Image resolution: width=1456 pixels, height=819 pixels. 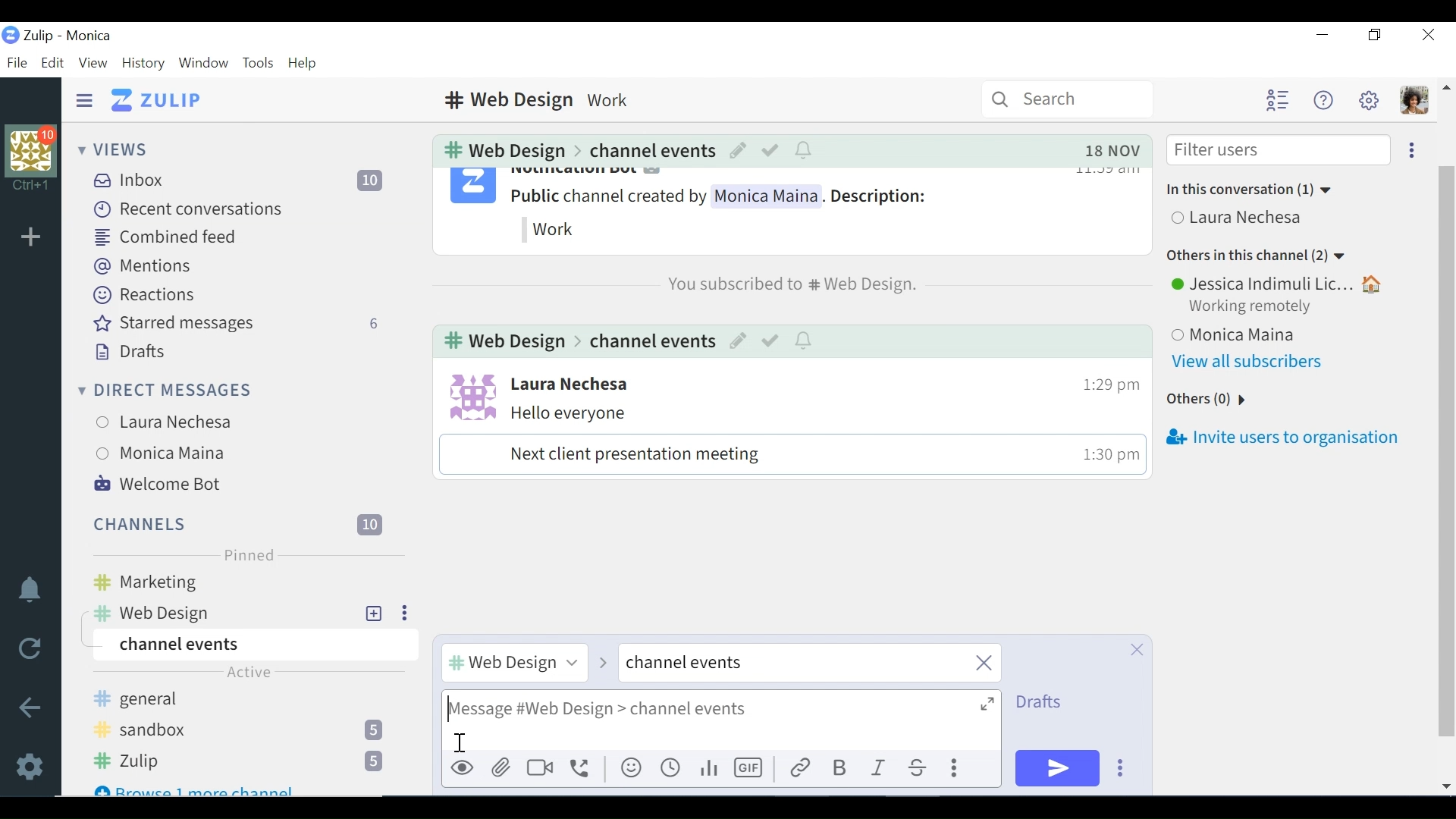 What do you see at coordinates (805, 149) in the screenshot?
I see `notifications` at bounding box center [805, 149].